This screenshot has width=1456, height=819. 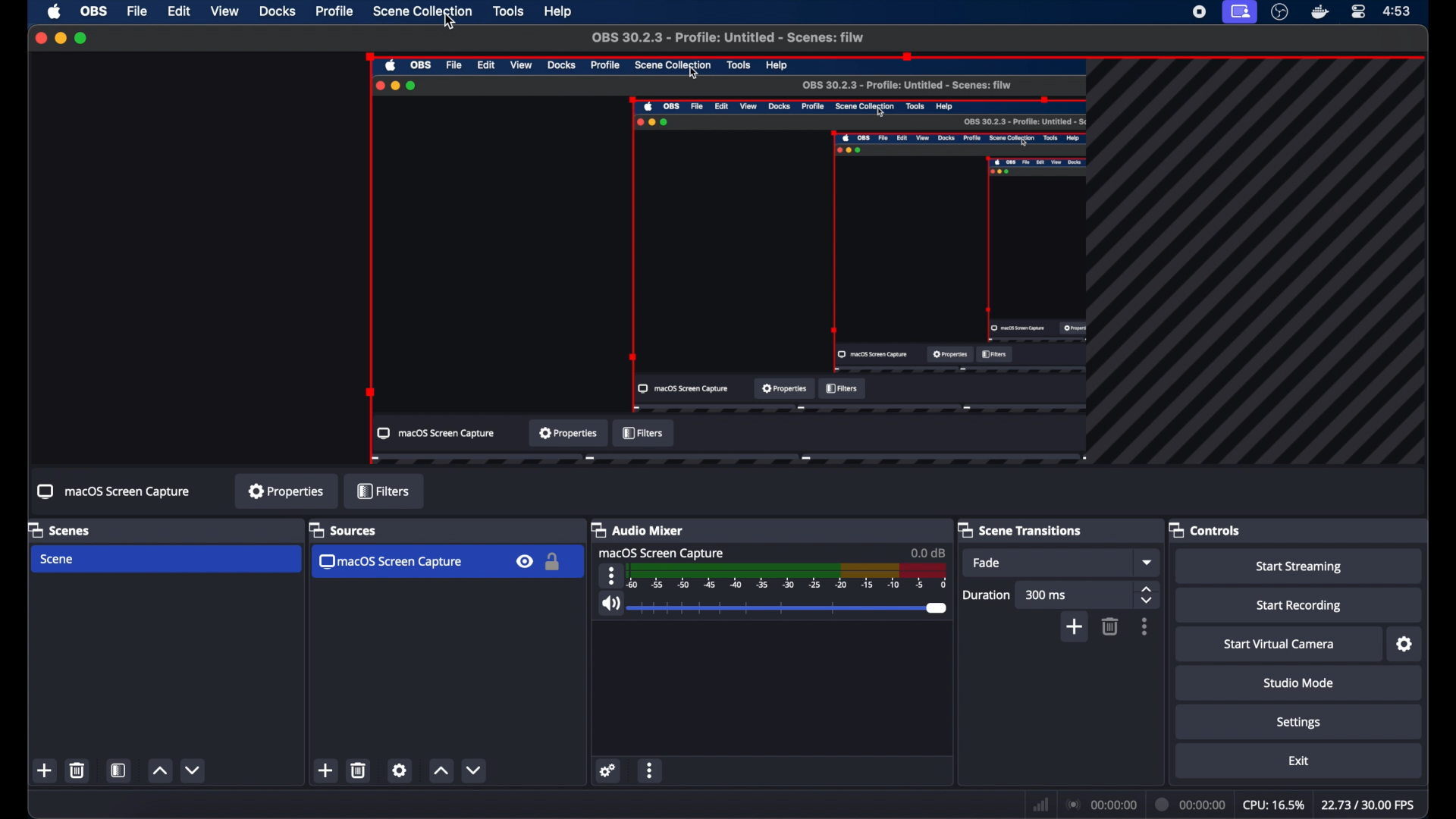 I want to click on close, so click(x=36, y=36).